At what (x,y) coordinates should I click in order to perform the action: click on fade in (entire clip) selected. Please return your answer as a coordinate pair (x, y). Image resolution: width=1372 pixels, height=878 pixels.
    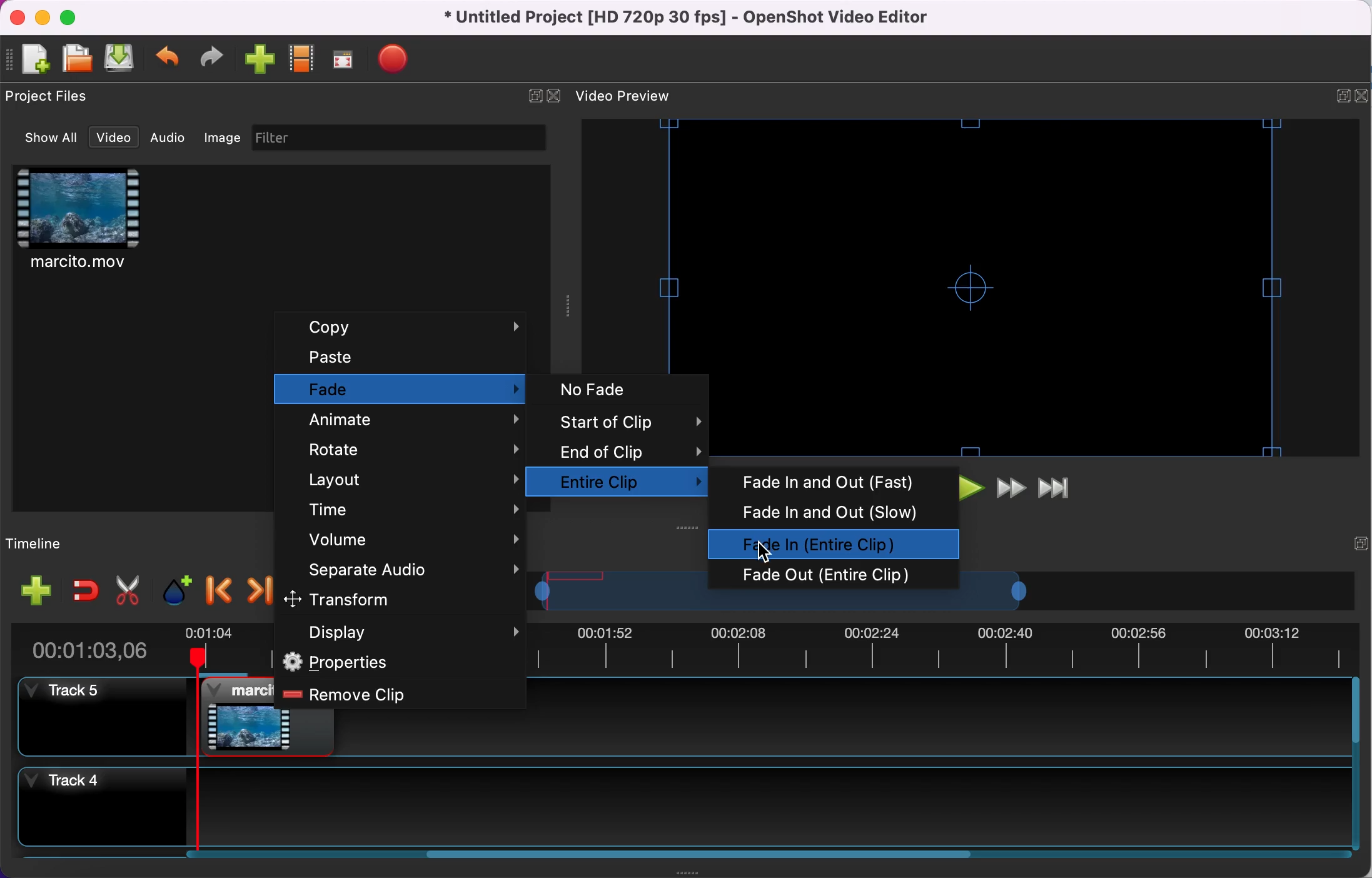
    Looking at the image, I should click on (836, 544).